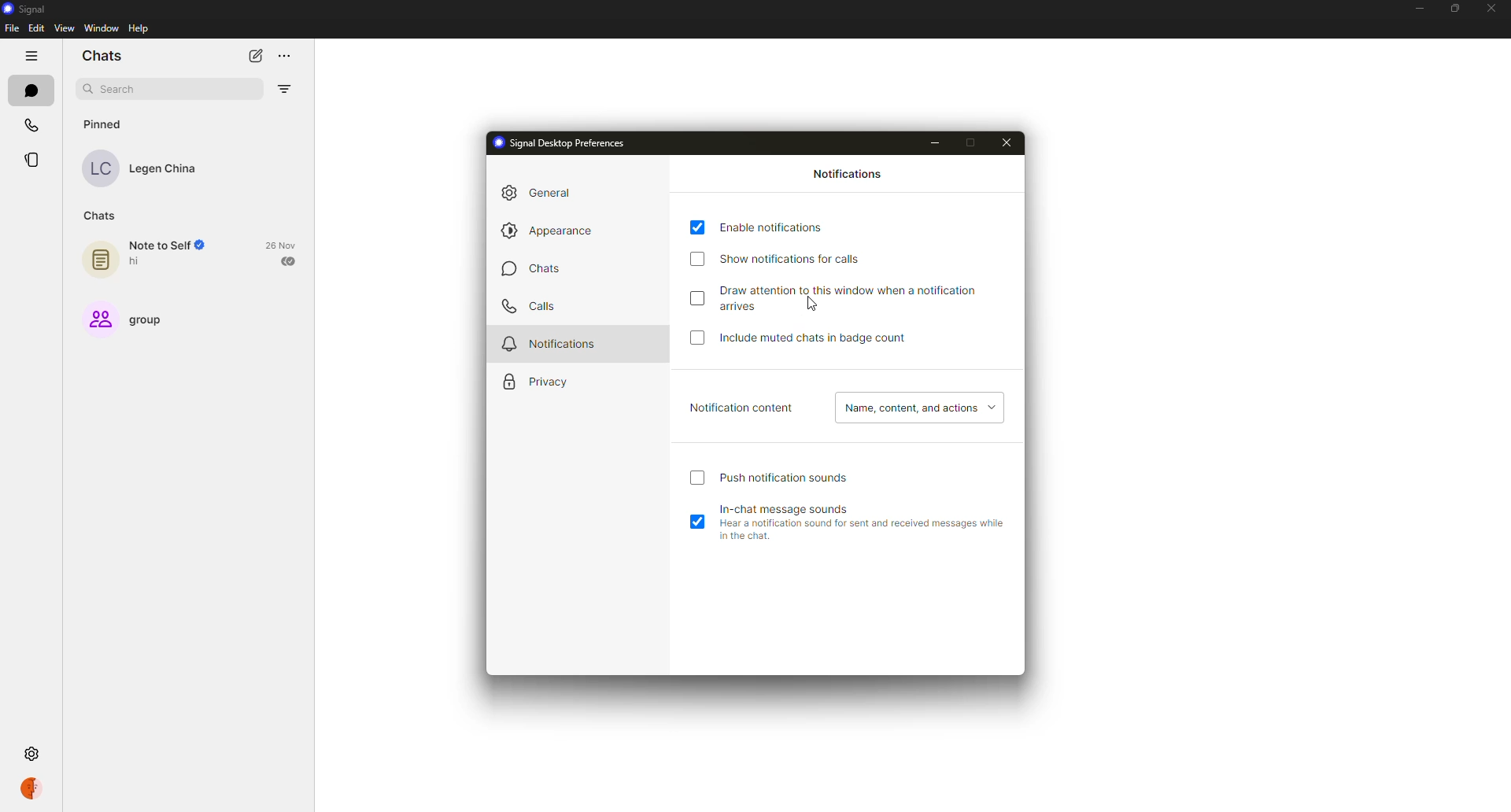  Describe the element at coordinates (110, 87) in the screenshot. I see `search` at that location.